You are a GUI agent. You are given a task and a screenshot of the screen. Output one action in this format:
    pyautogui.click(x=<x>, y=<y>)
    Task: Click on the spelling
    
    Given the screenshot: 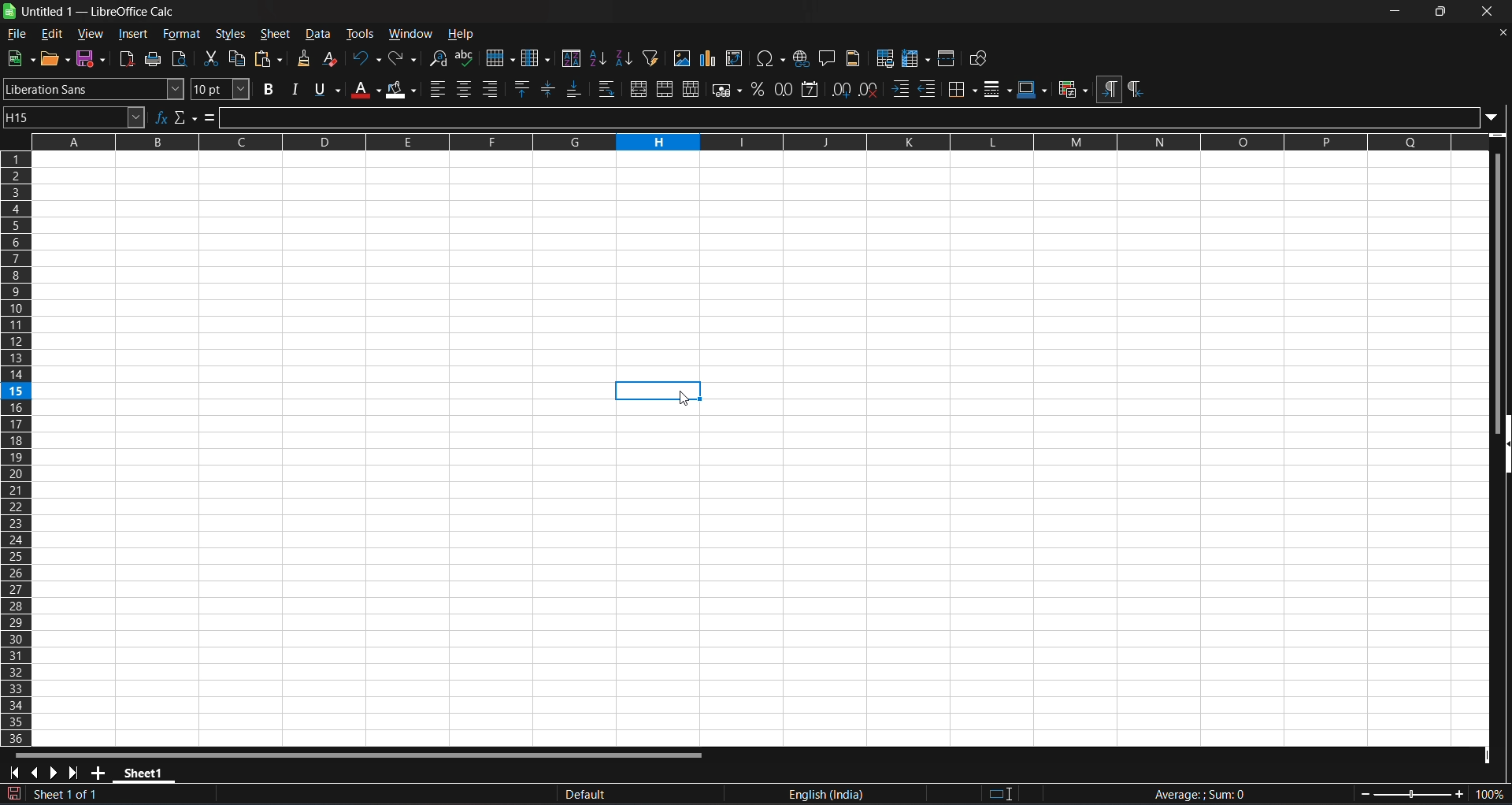 What is the action you would take?
    pyautogui.click(x=465, y=58)
    